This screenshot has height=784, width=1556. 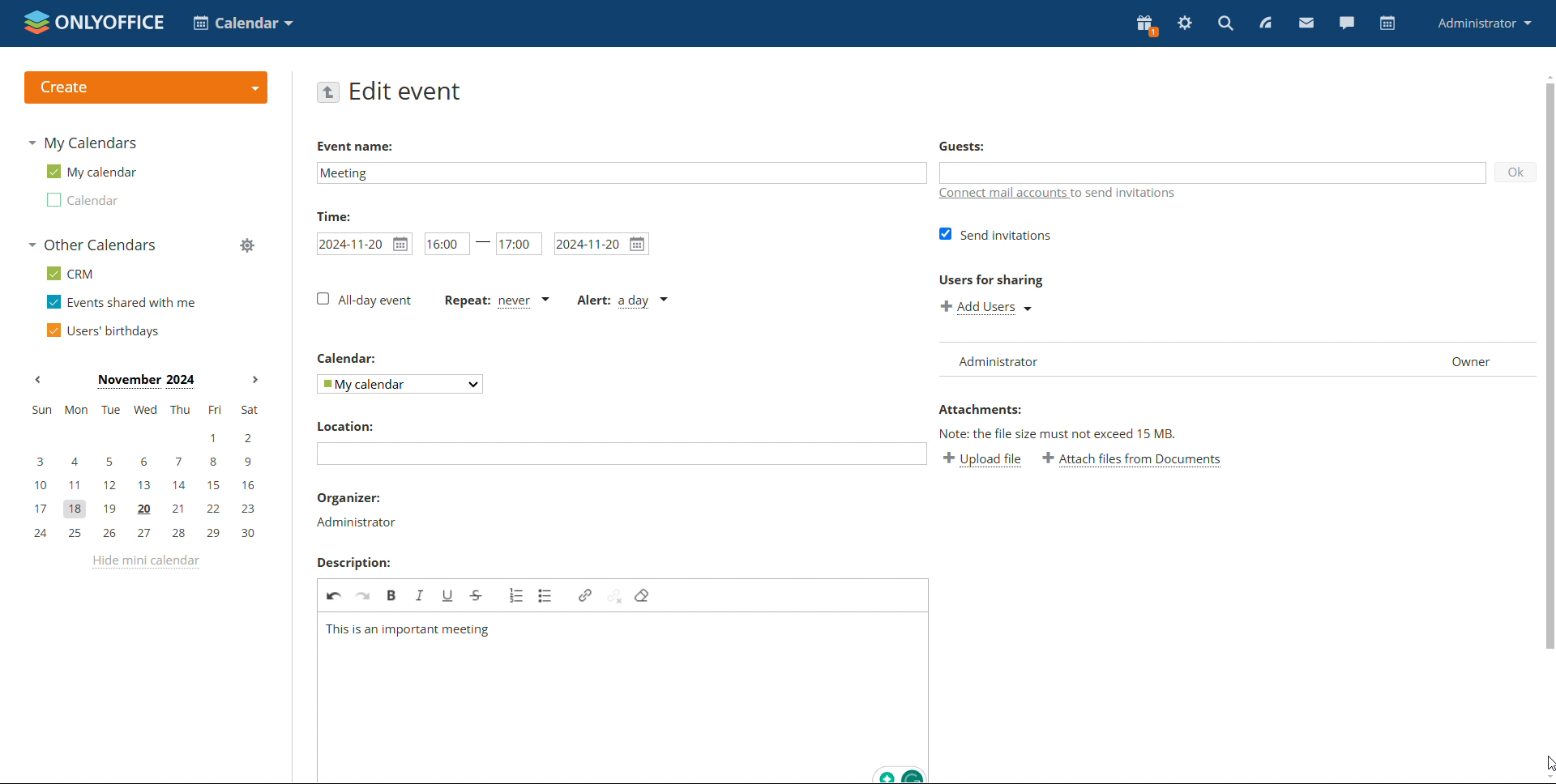 What do you see at coordinates (147, 88) in the screenshot?
I see `create` at bounding box center [147, 88].